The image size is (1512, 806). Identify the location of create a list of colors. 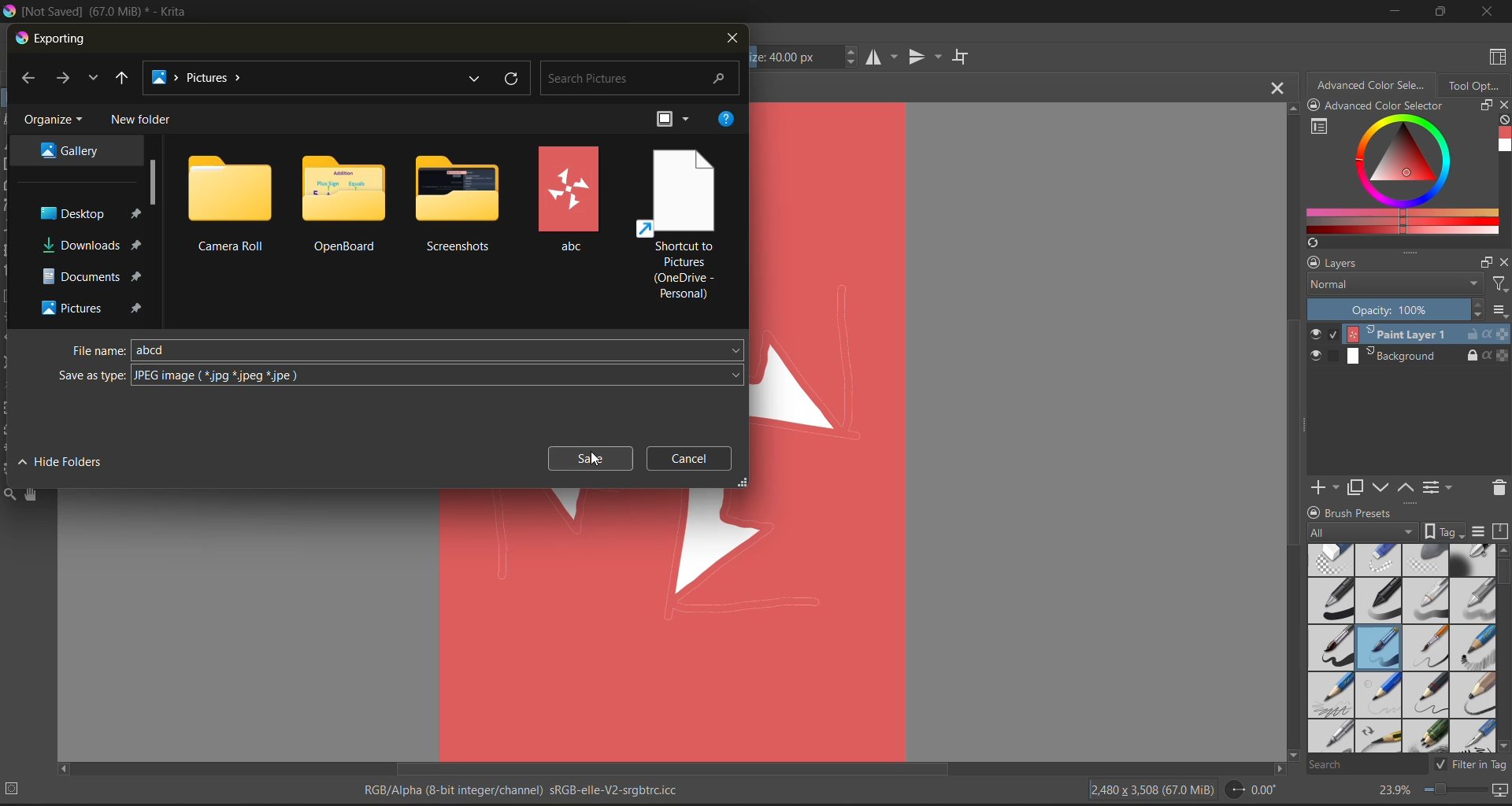
(1313, 244).